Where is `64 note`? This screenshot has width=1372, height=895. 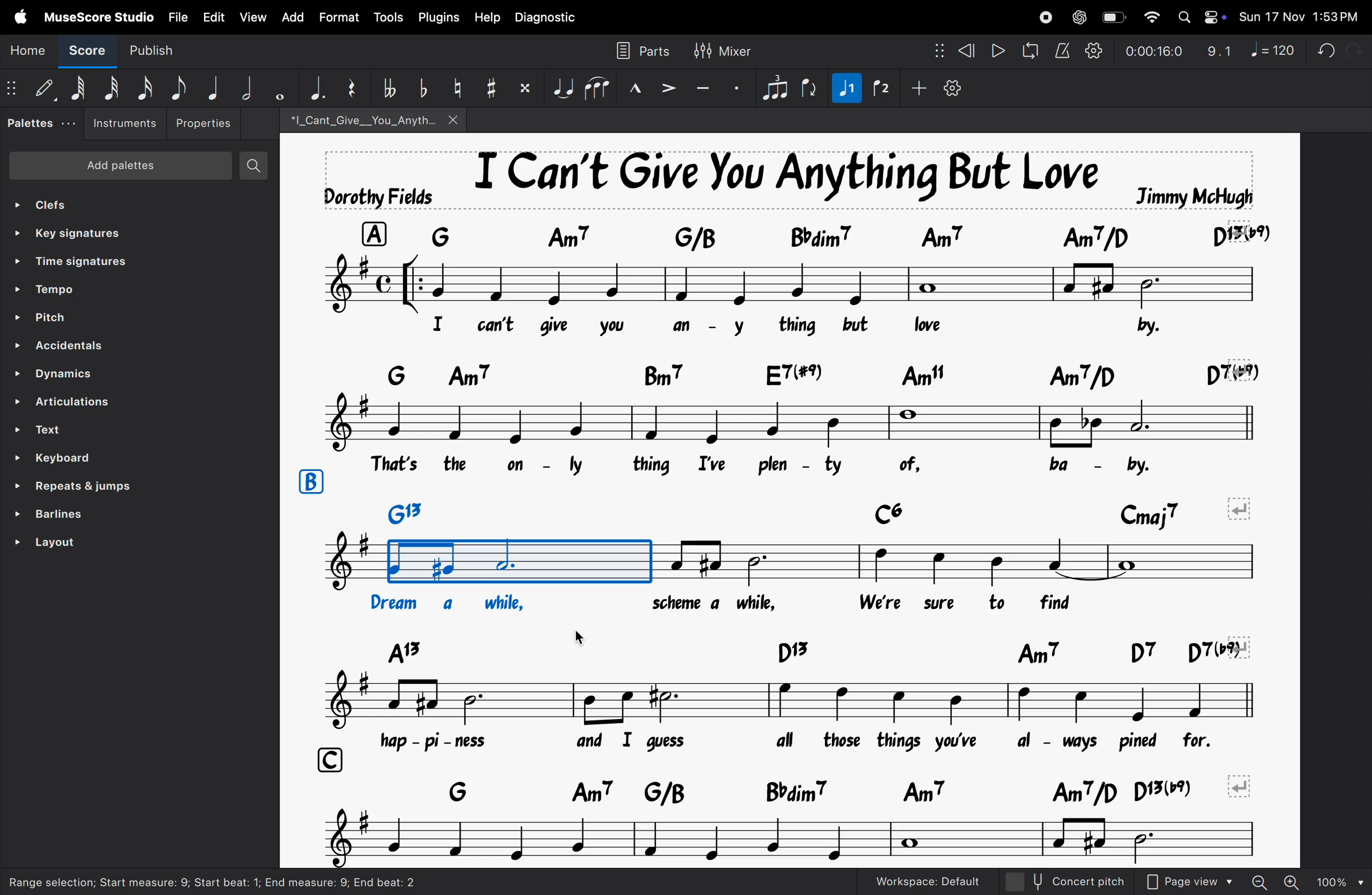
64 note is located at coordinates (77, 90).